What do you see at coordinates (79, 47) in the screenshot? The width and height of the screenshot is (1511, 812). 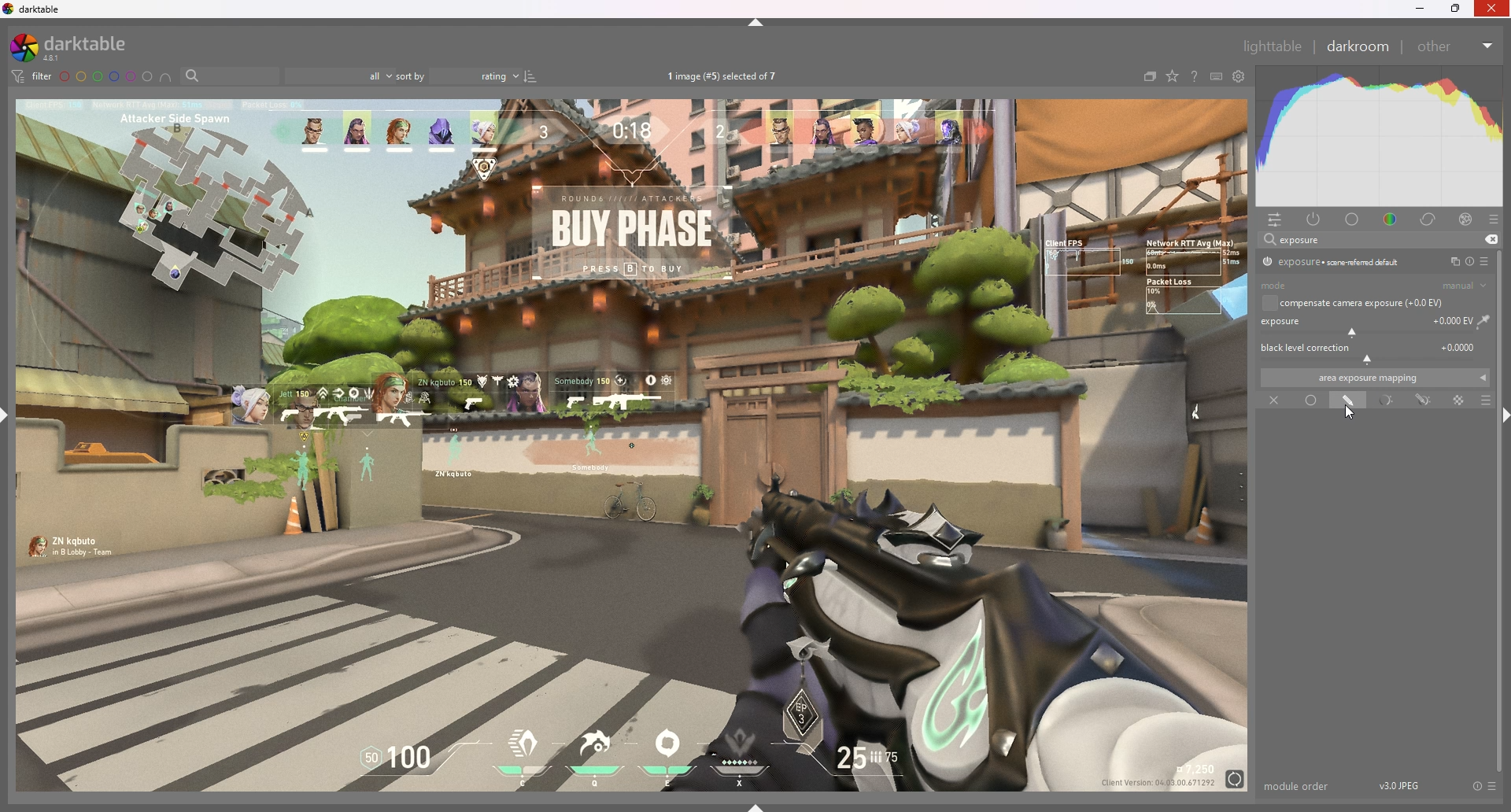 I see `darktable` at bounding box center [79, 47].